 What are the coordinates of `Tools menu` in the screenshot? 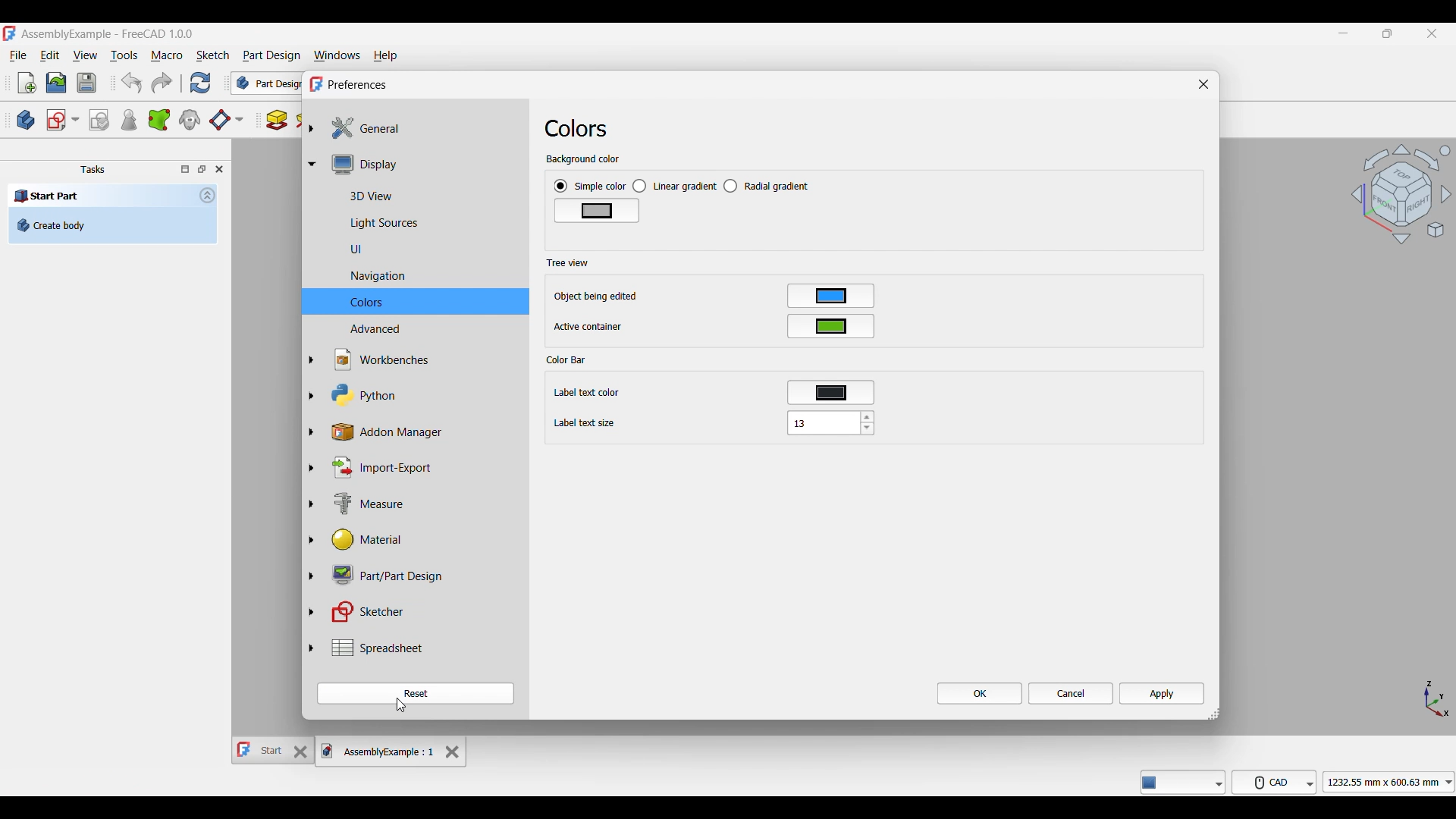 It's located at (124, 55).